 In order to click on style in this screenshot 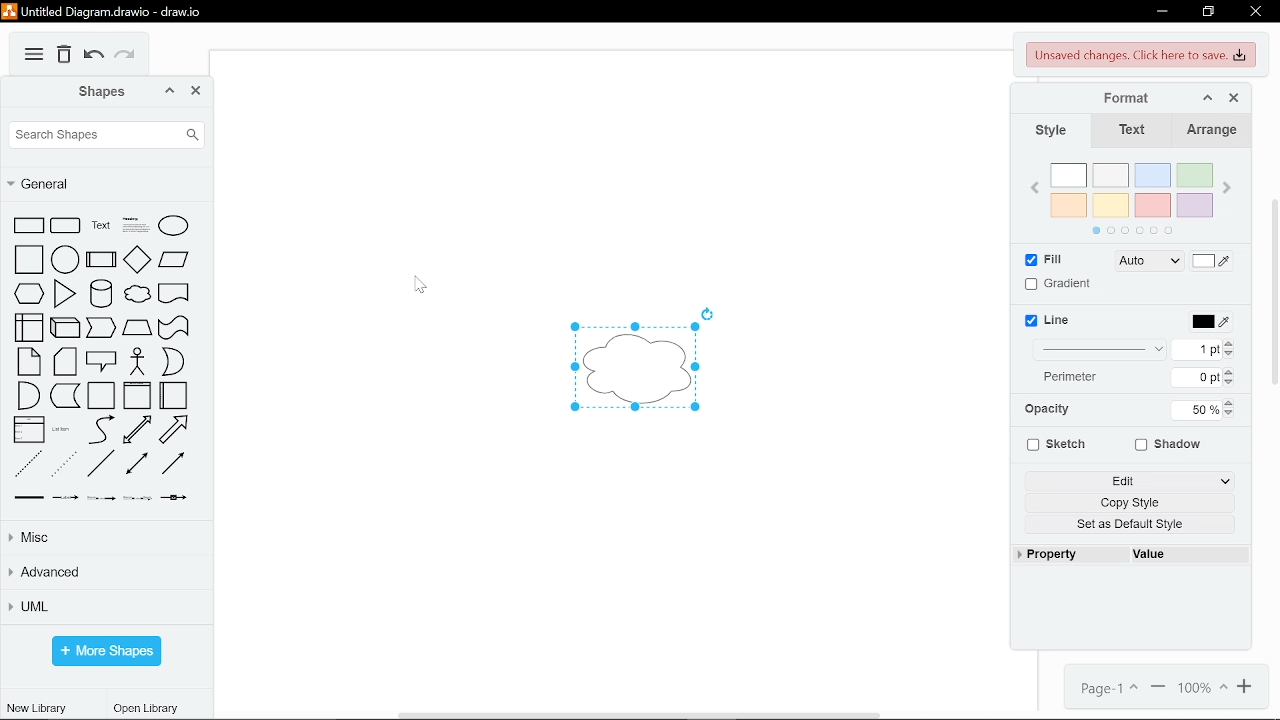, I will do `click(1052, 132)`.